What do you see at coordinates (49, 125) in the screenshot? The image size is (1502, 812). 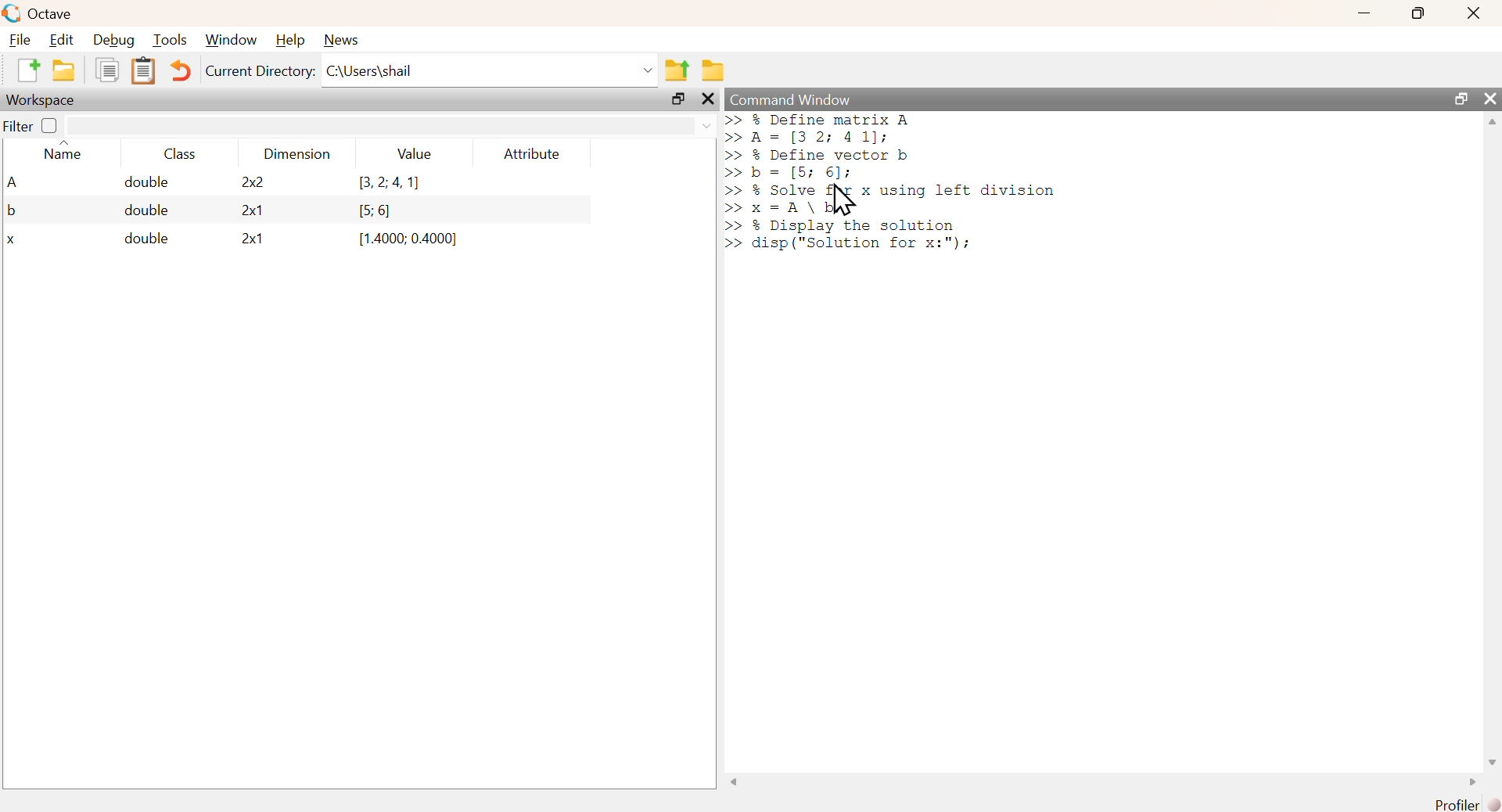 I see `off` at bounding box center [49, 125].